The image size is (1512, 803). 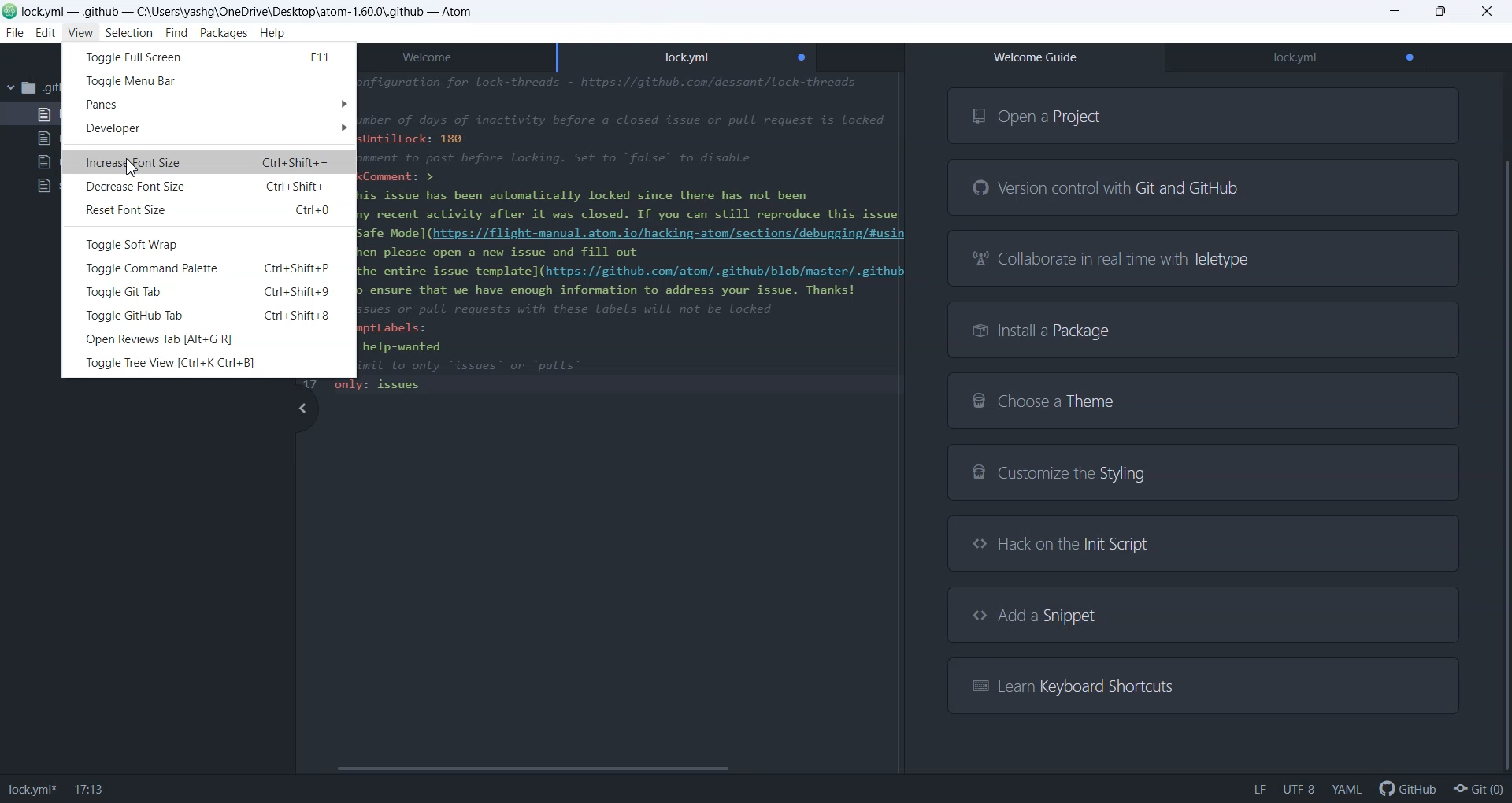 What do you see at coordinates (302, 409) in the screenshot?
I see `Vertical drag handle` at bounding box center [302, 409].